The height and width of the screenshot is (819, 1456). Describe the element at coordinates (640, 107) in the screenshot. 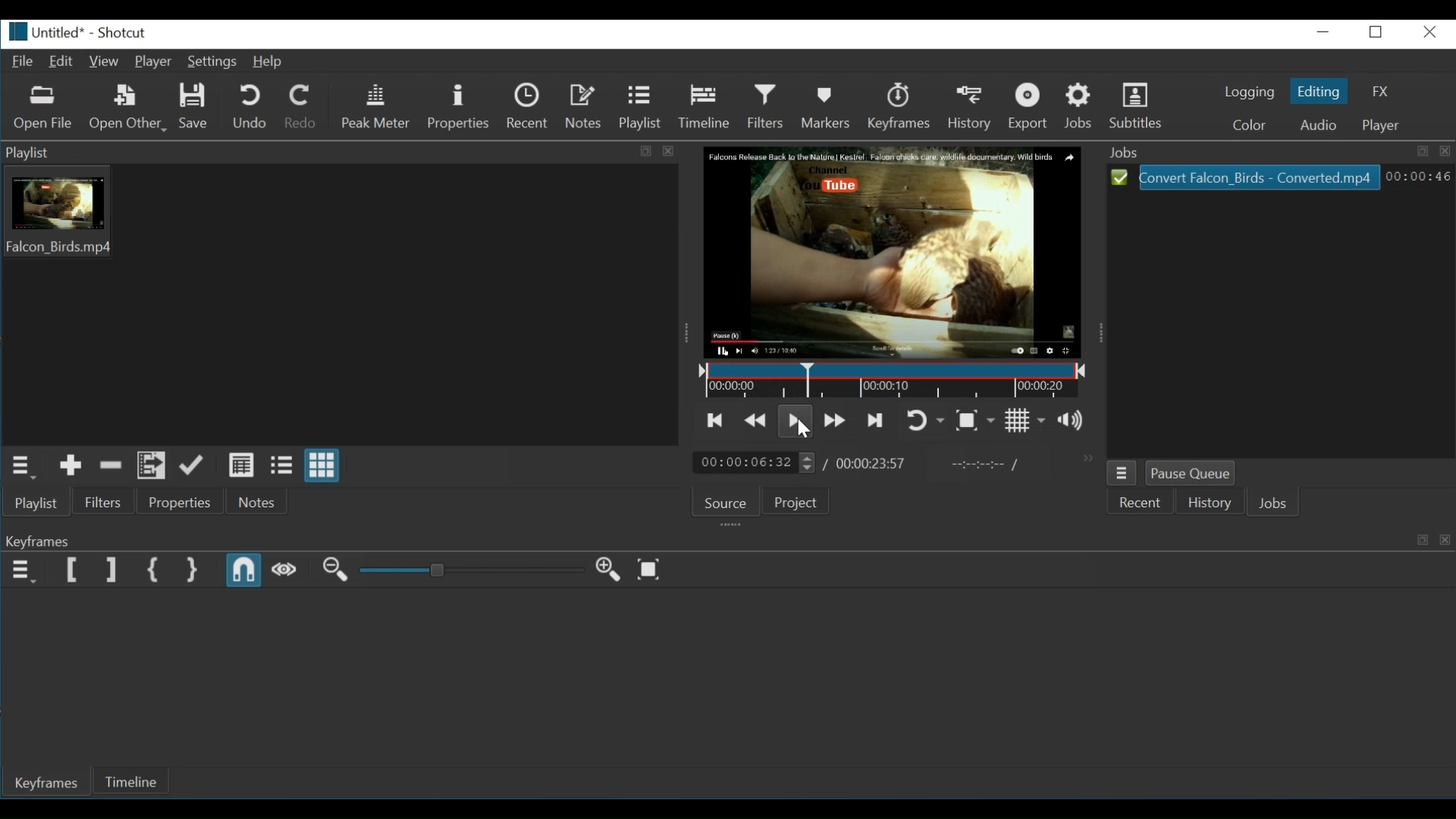

I see `Playlist` at that location.